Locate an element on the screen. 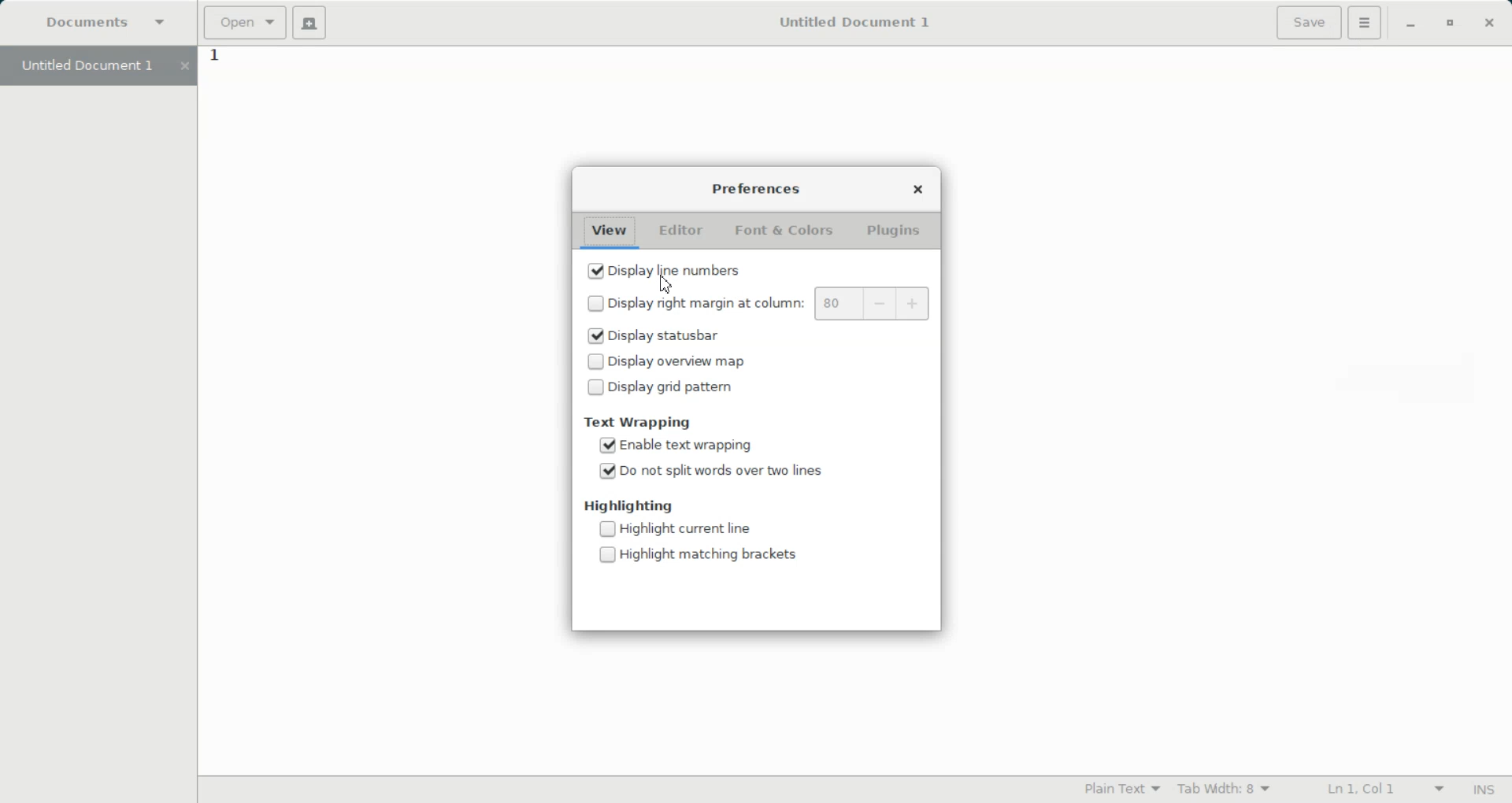 The width and height of the screenshot is (1512, 803). Maximize is located at coordinates (1451, 24).